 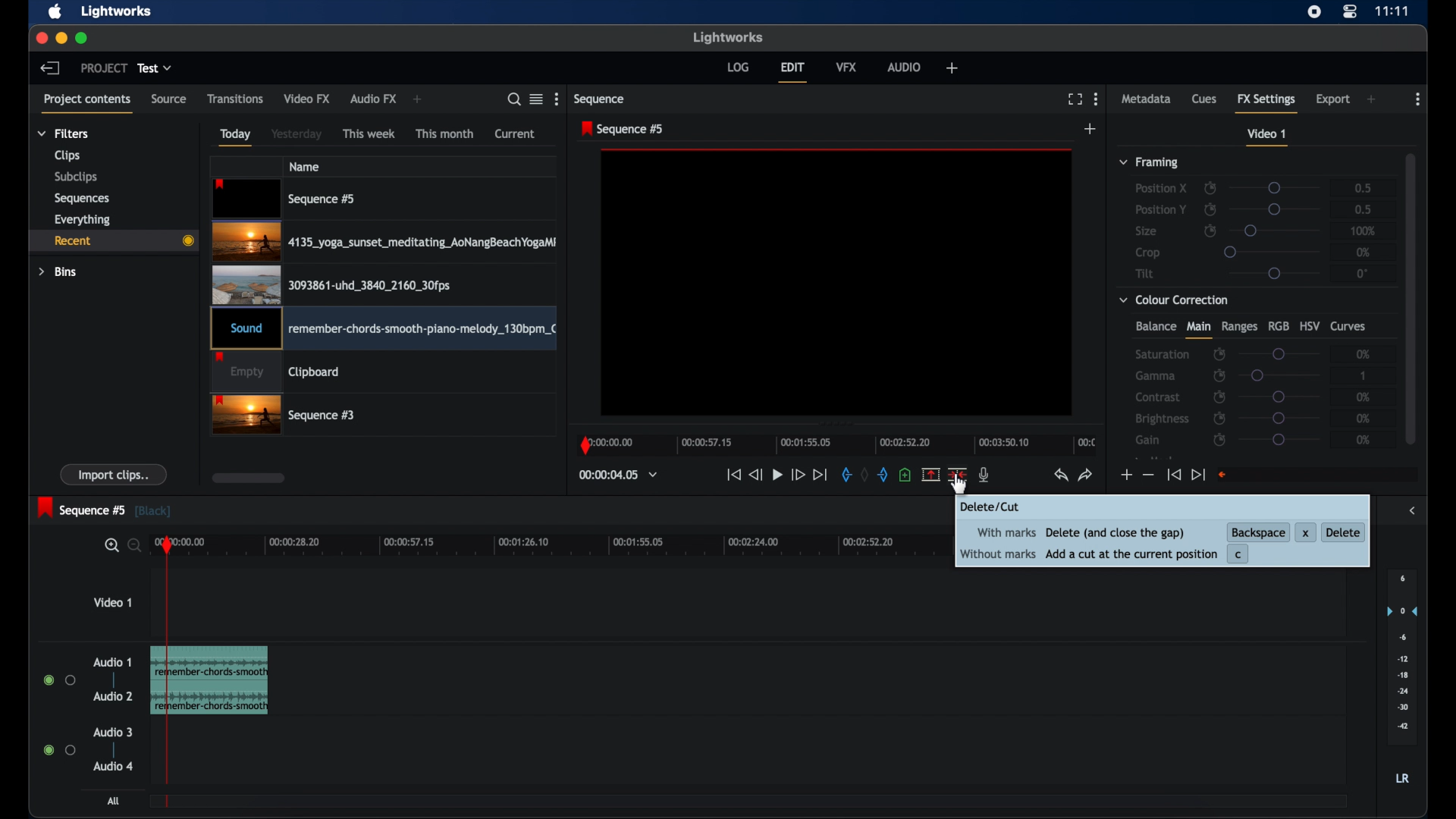 What do you see at coordinates (1130, 554) in the screenshot?
I see `add a cut at the current position` at bounding box center [1130, 554].